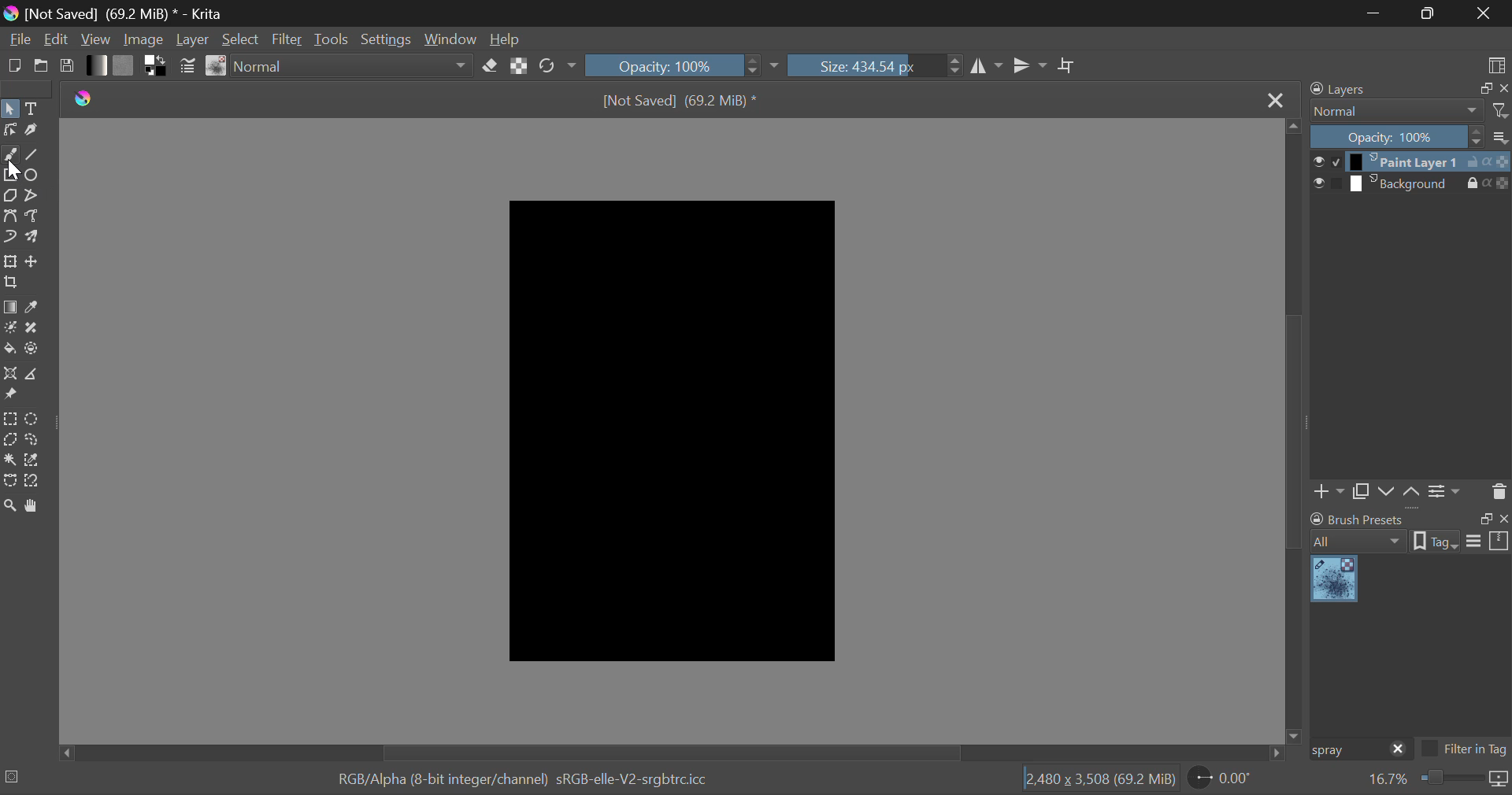 The width and height of the screenshot is (1512, 795). Describe the element at coordinates (1503, 519) in the screenshot. I see `close` at that location.